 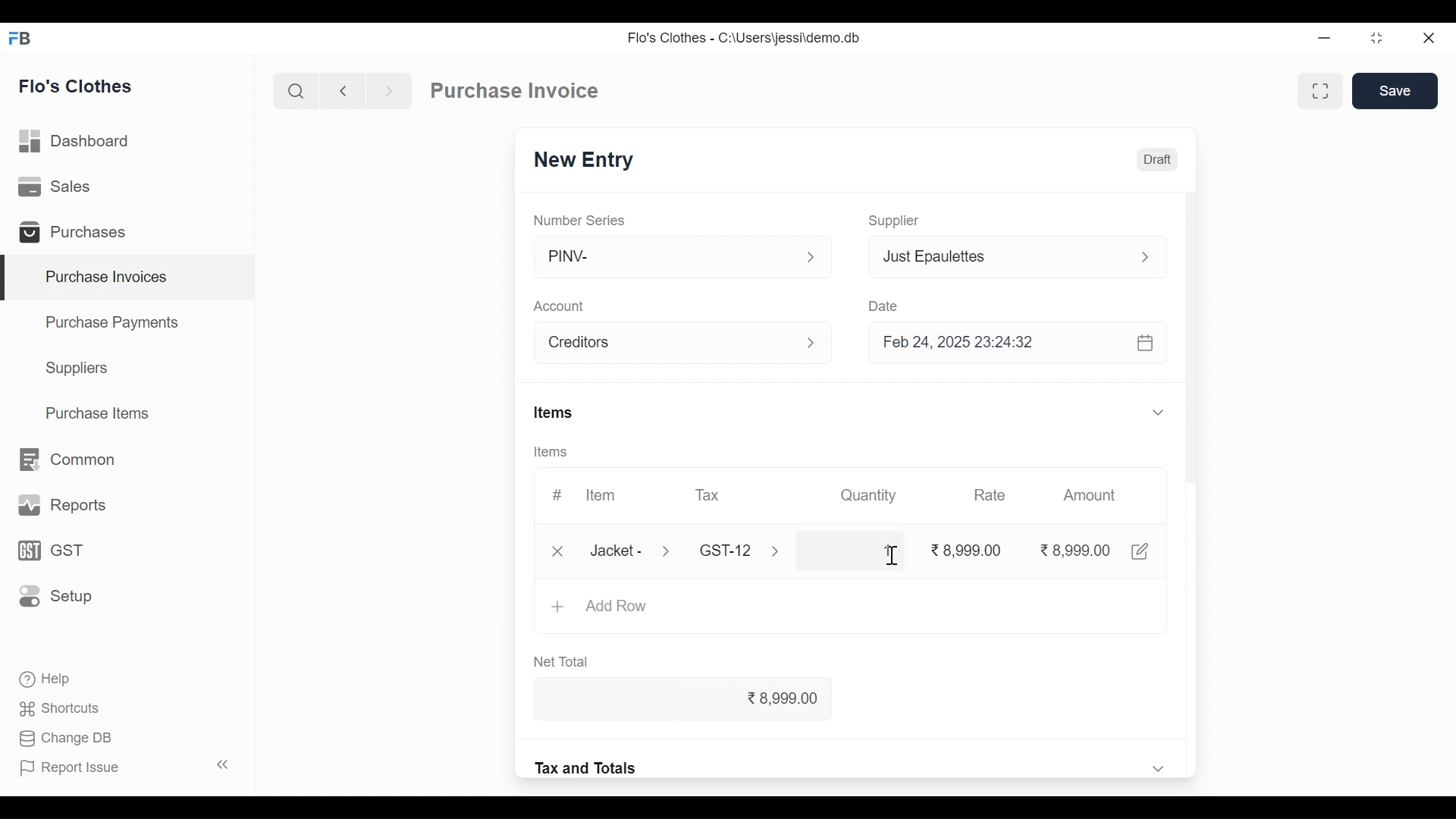 What do you see at coordinates (50, 551) in the screenshot?
I see `GST` at bounding box center [50, 551].